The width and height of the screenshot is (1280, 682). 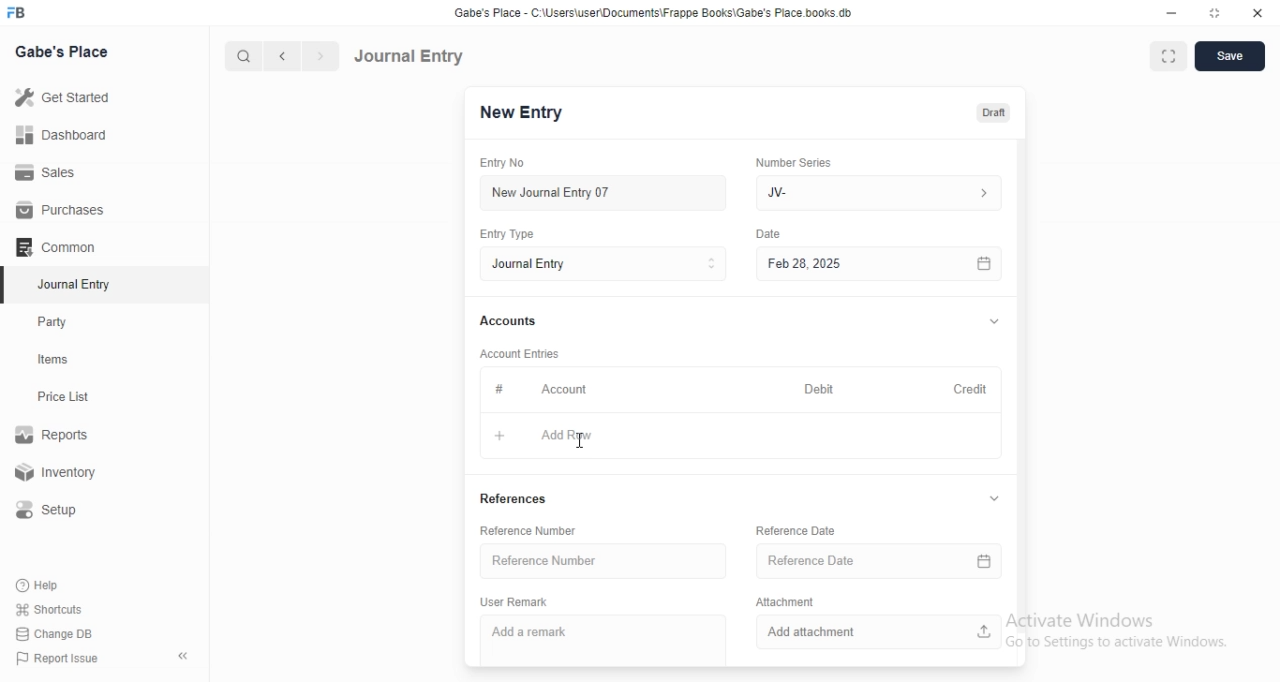 I want to click on Entry No, so click(x=506, y=163).